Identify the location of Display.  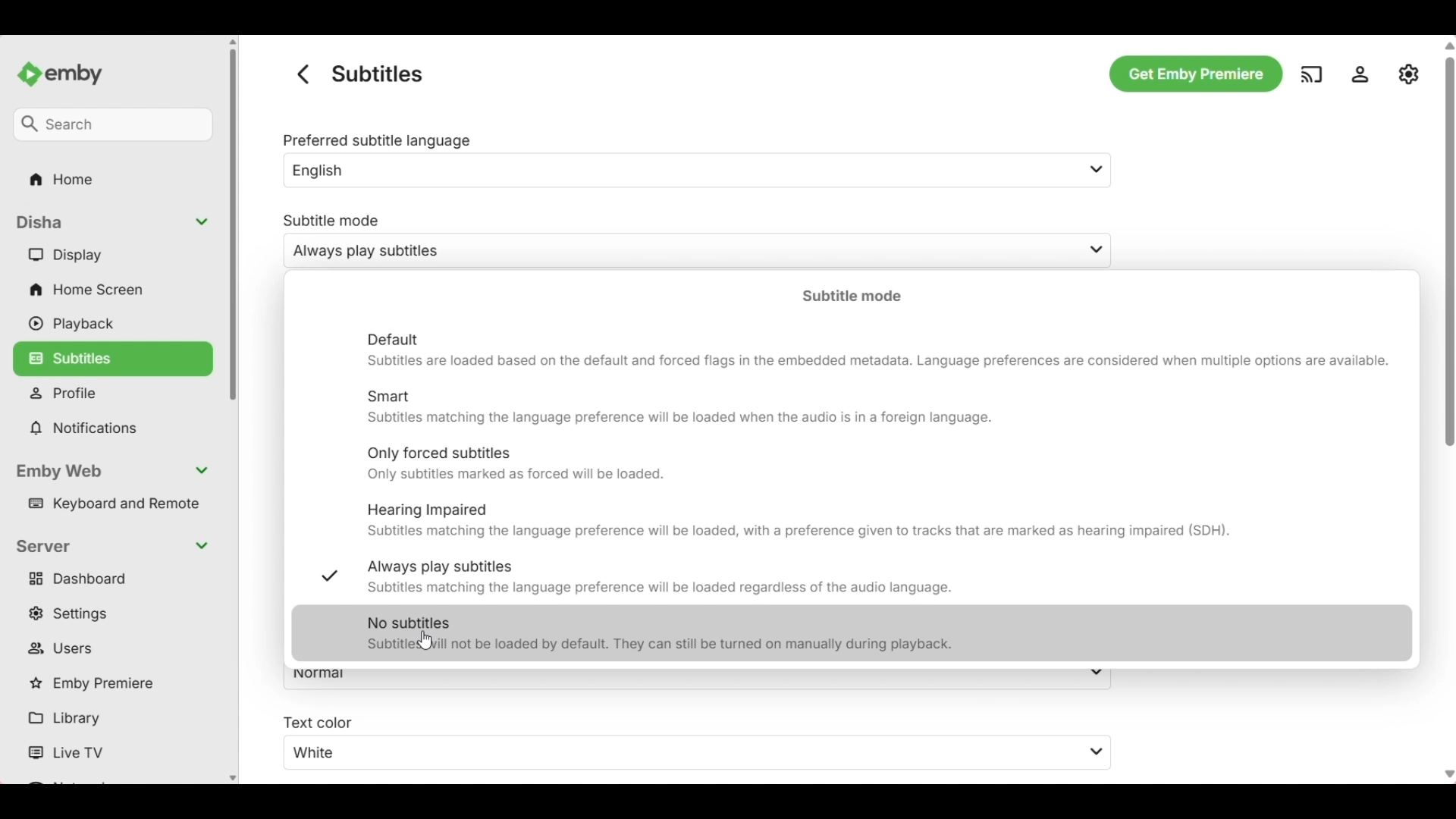
(116, 255).